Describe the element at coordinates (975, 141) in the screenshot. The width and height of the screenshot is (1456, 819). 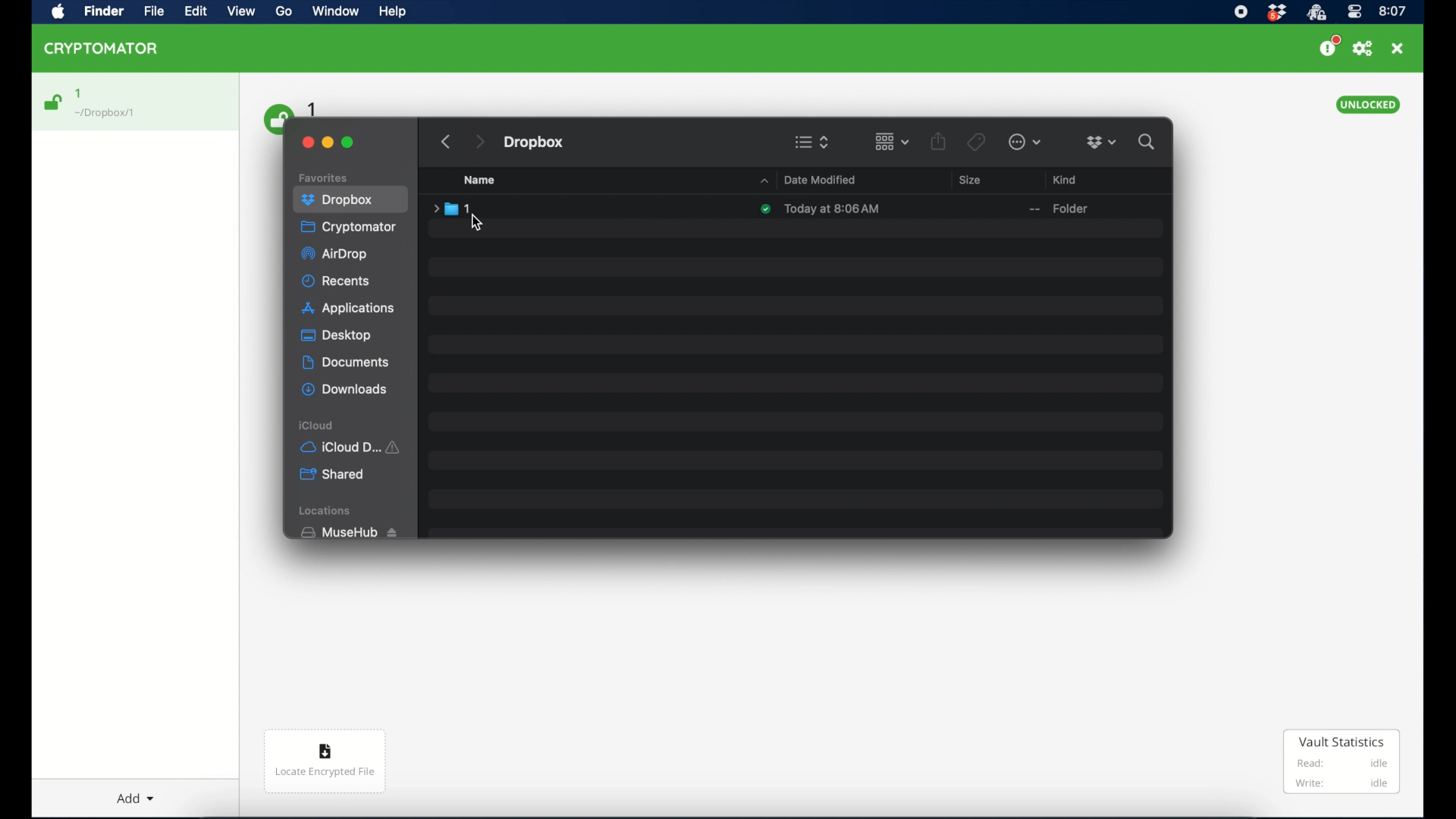
I see `tags` at that location.